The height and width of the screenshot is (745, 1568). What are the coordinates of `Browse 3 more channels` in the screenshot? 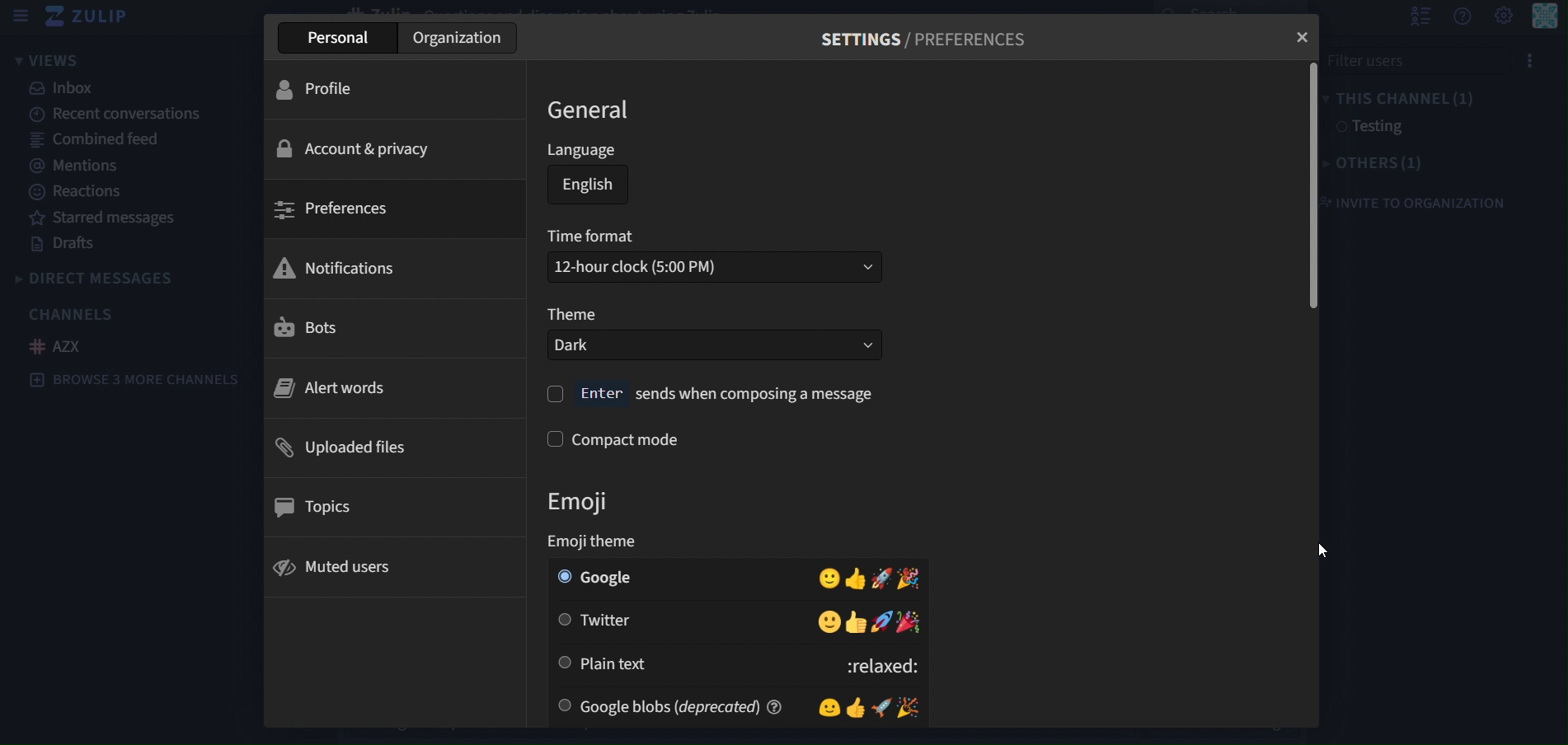 It's located at (134, 379).